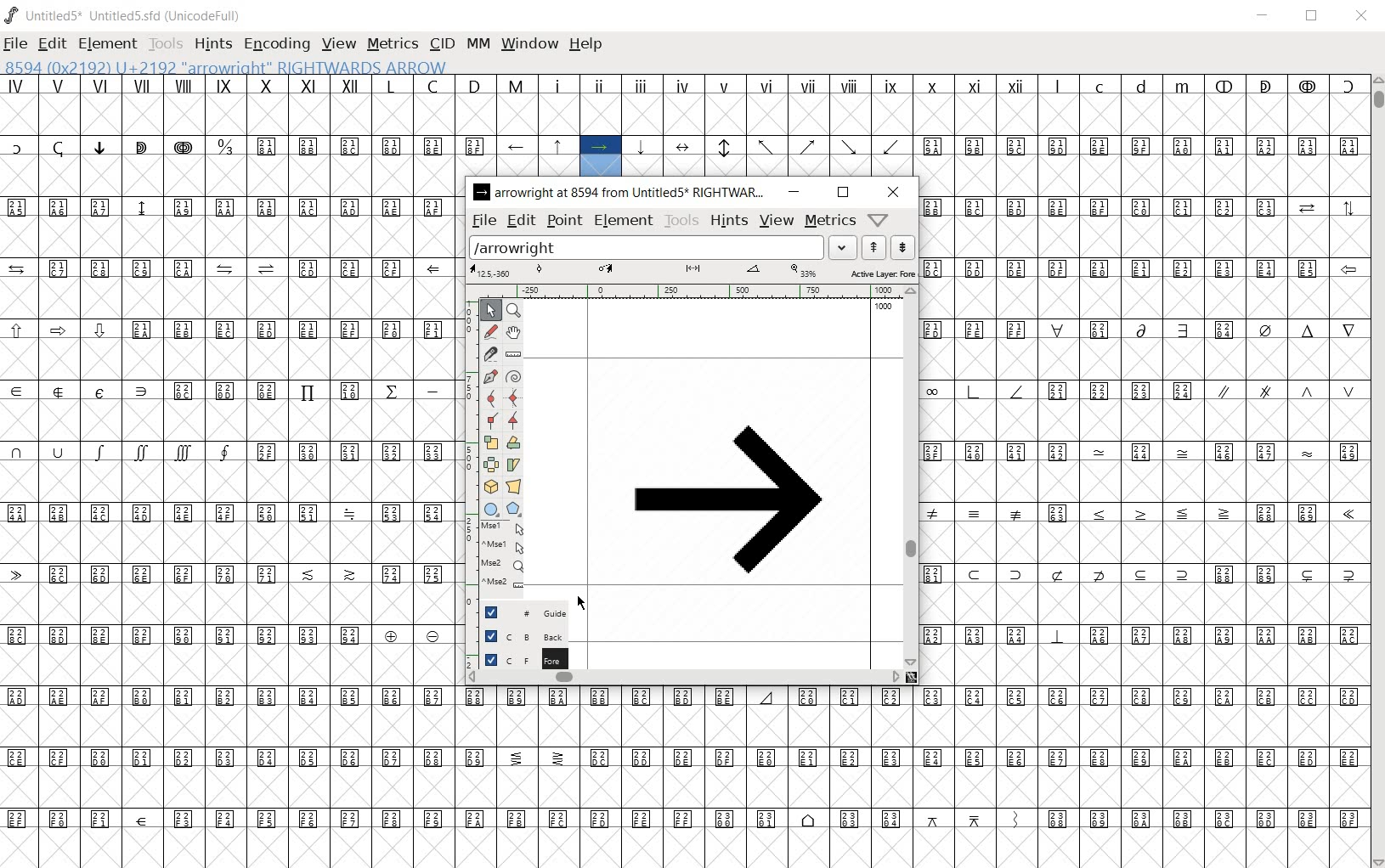 This screenshot has height=868, width=1385. Describe the element at coordinates (684, 680) in the screenshot. I see `scrollbar` at that location.